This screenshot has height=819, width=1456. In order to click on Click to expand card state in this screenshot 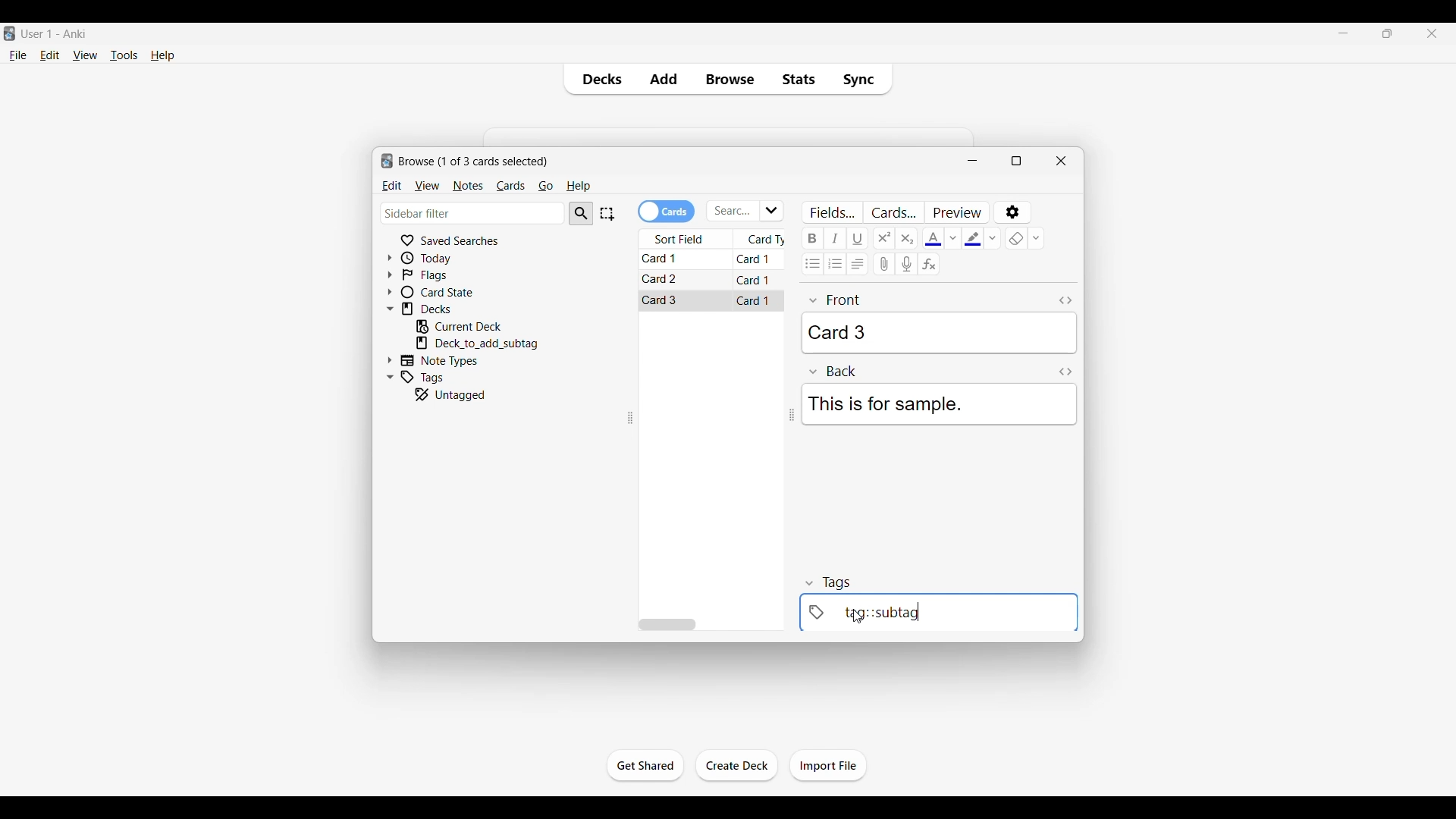, I will do `click(390, 292)`.